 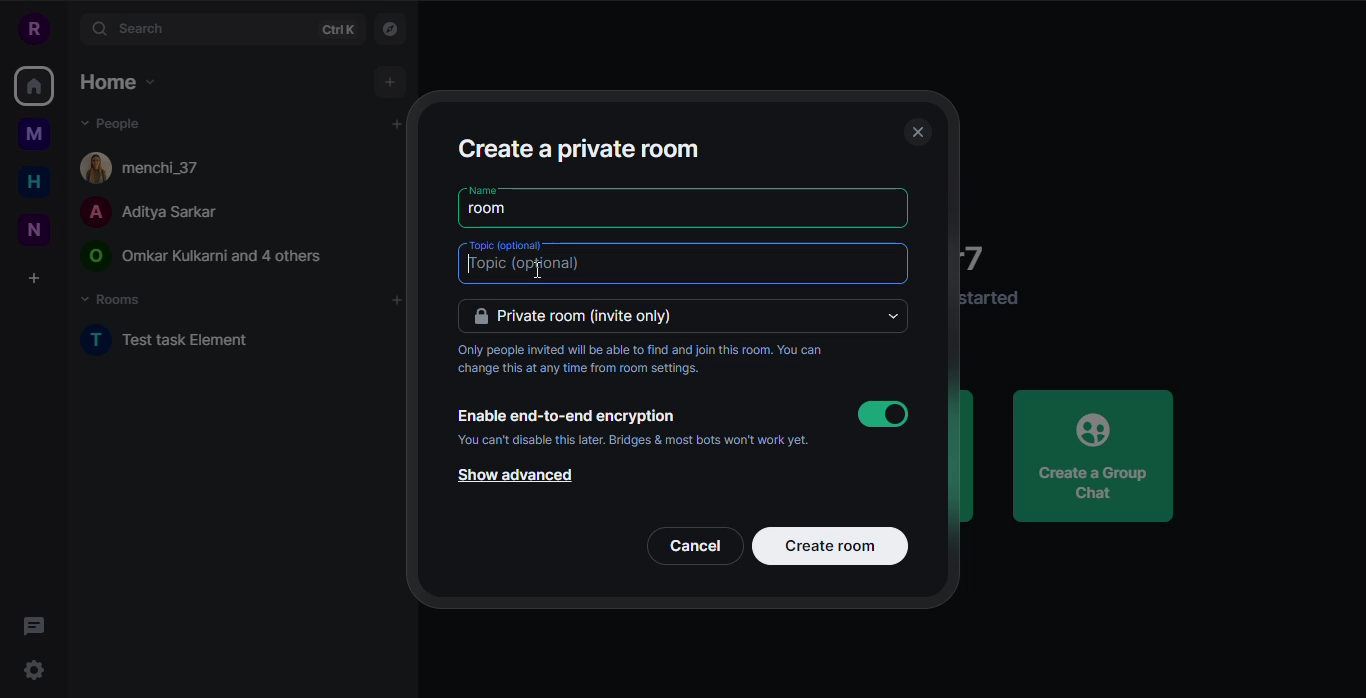 What do you see at coordinates (151, 165) in the screenshot?
I see `people` at bounding box center [151, 165].